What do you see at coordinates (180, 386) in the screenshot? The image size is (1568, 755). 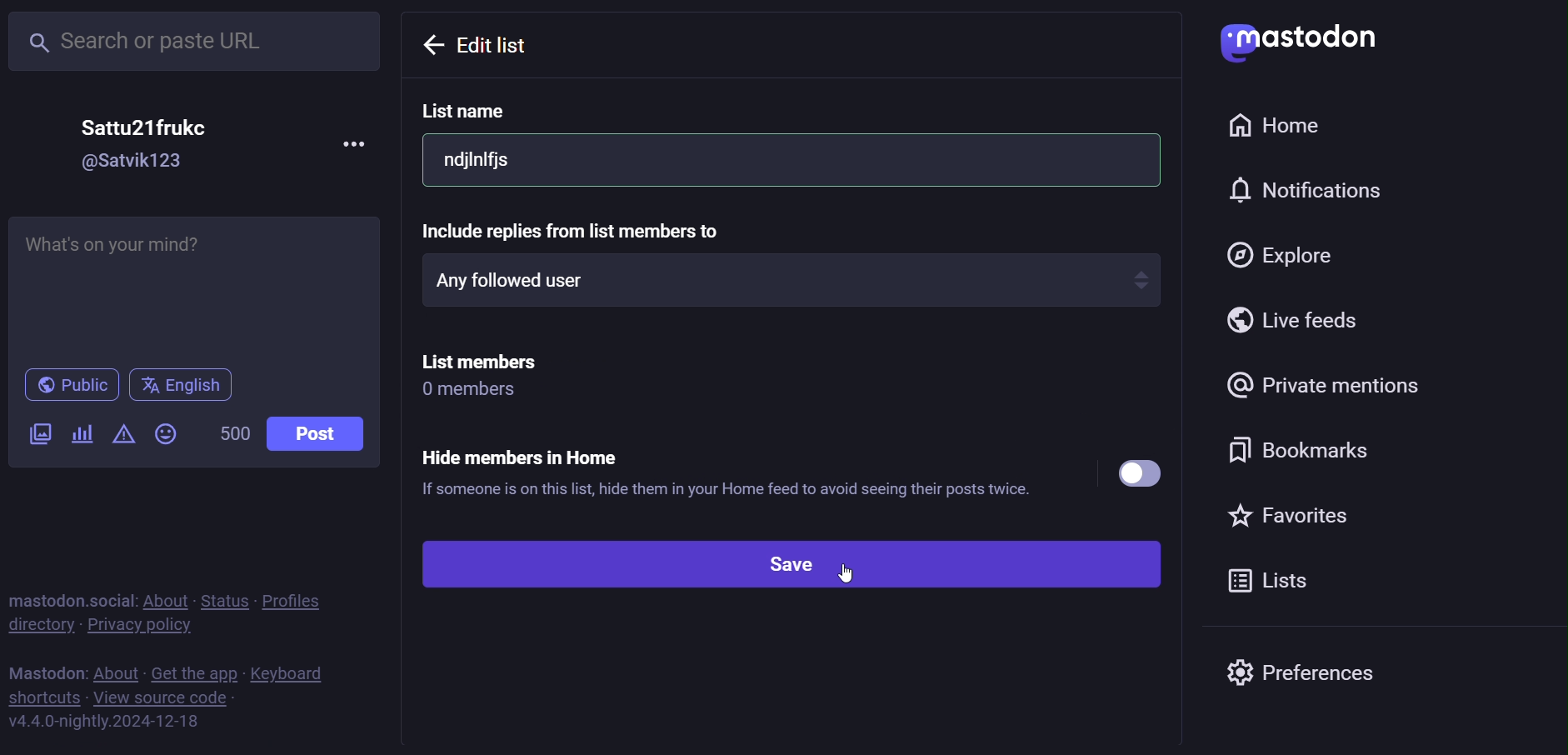 I see `english` at bounding box center [180, 386].